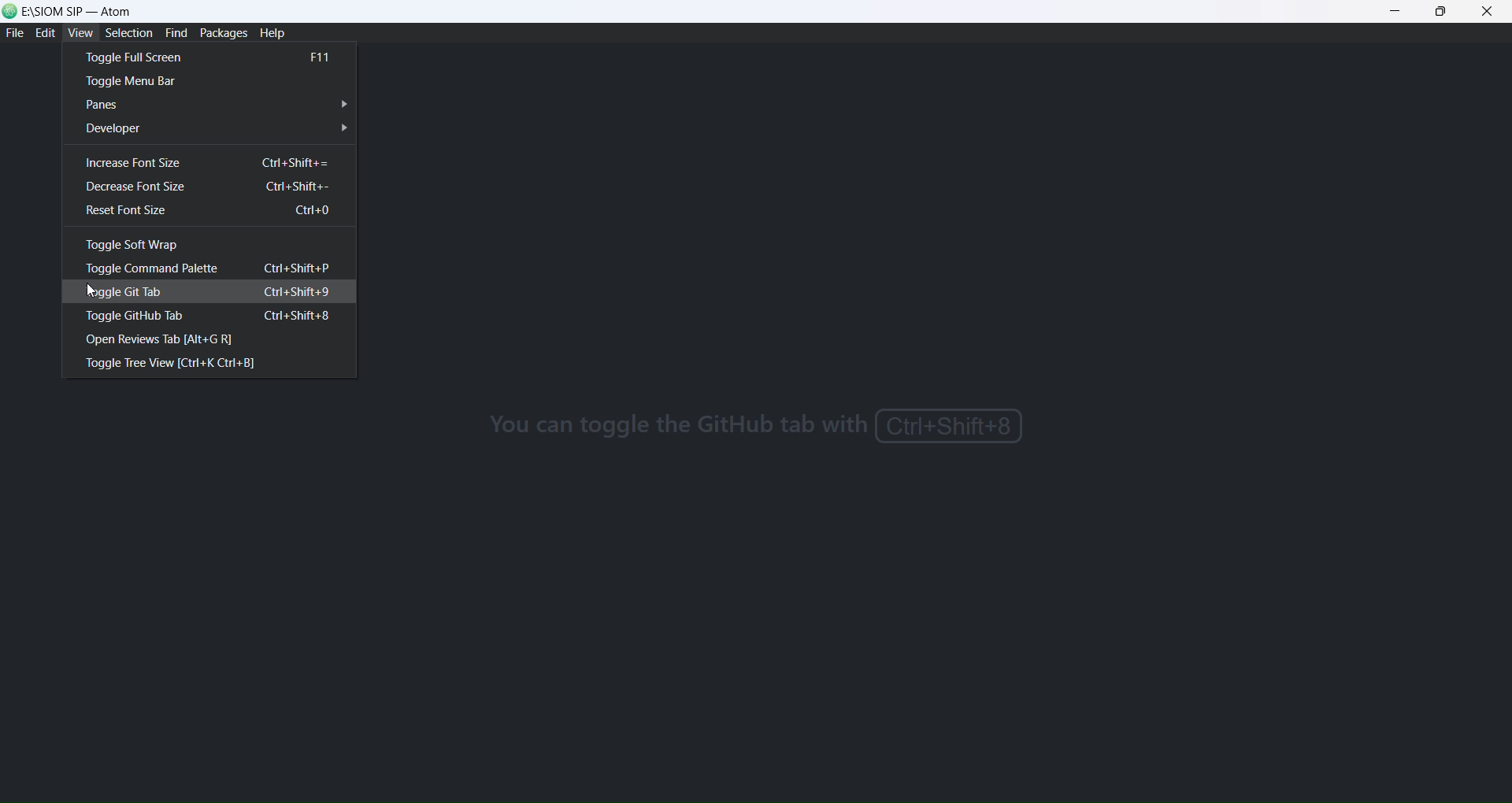 This screenshot has width=1512, height=803. What do you see at coordinates (176, 33) in the screenshot?
I see `find` at bounding box center [176, 33].